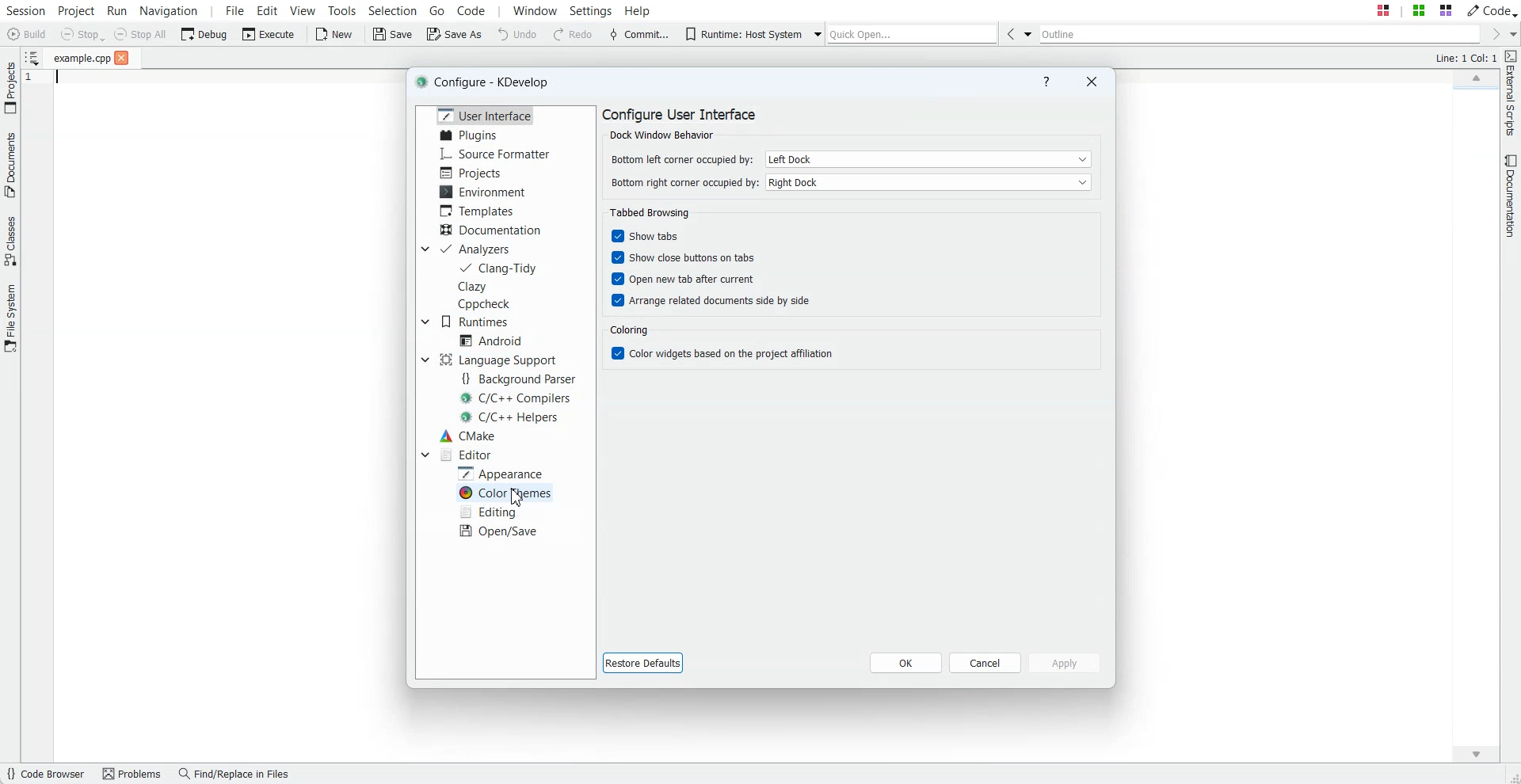  What do you see at coordinates (491, 512) in the screenshot?
I see `Editing` at bounding box center [491, 512].